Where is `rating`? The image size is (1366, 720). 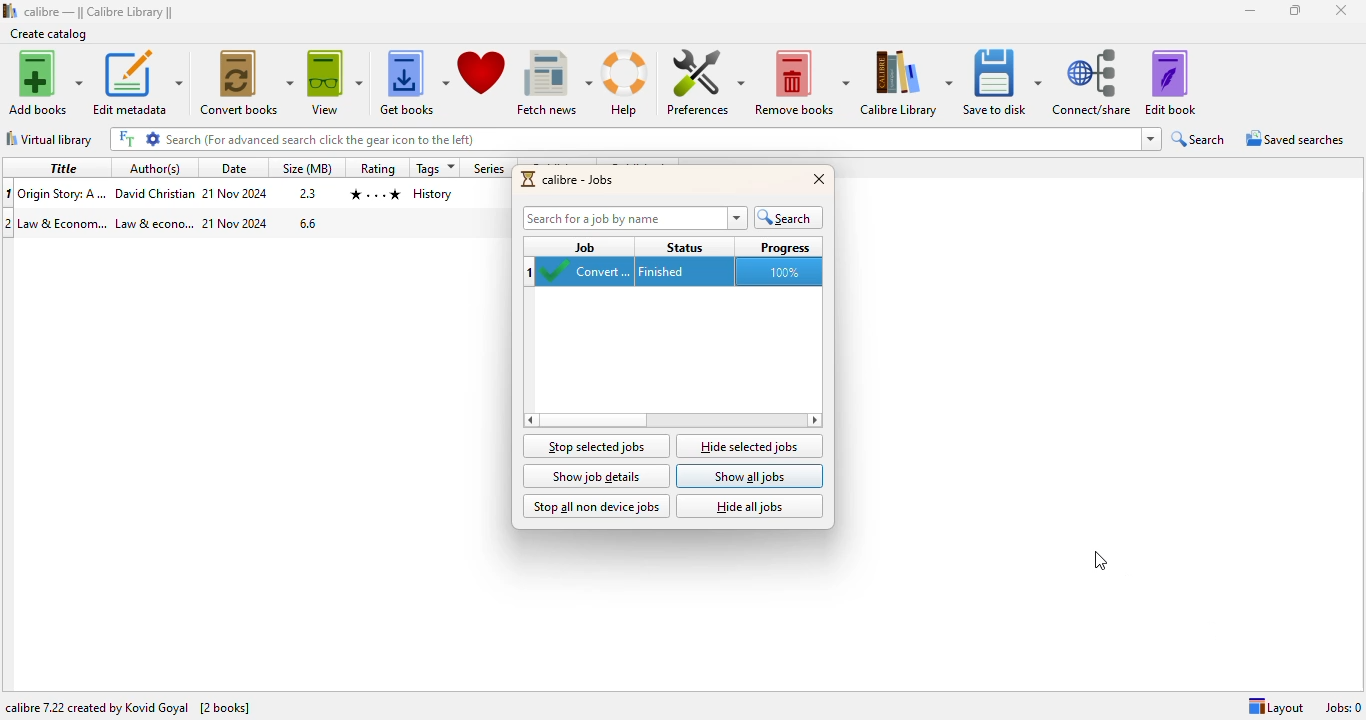
rating is located at coordinates (372, 193).